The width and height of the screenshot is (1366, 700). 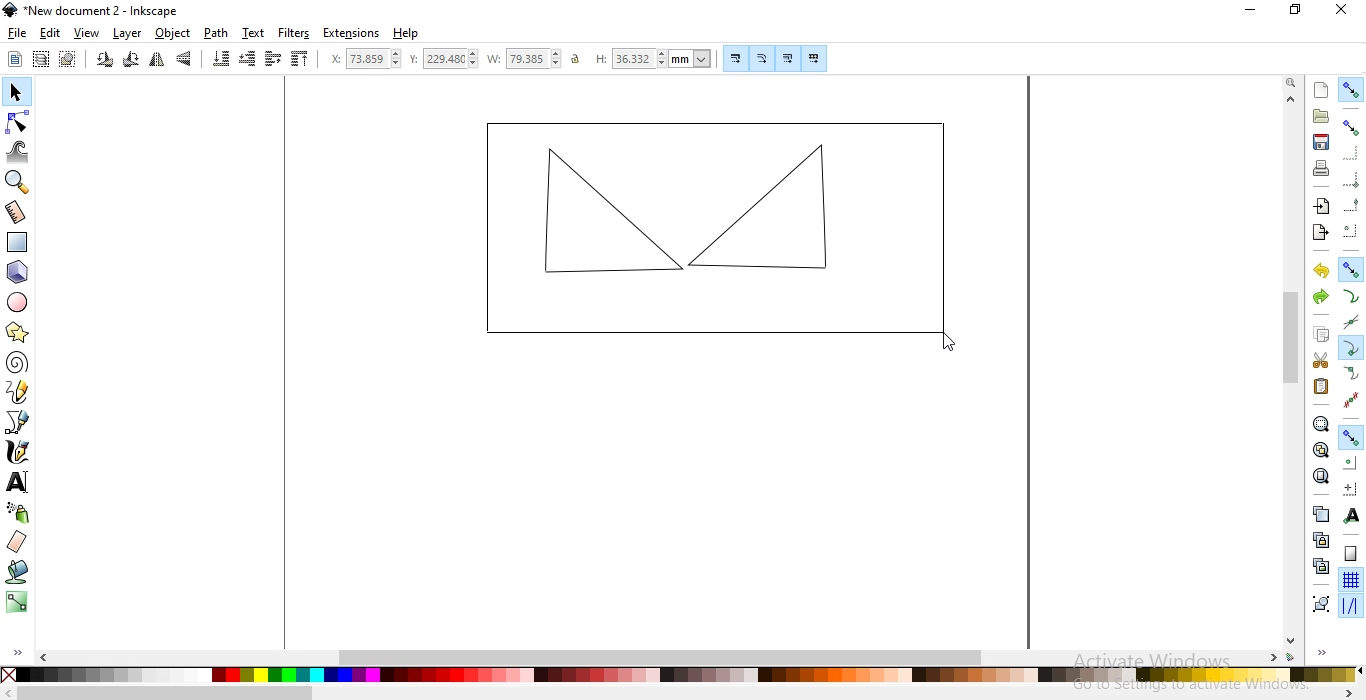 What do you see at coordinates (524, 58) in the screenshot?
I see `width of selection` at bounding box center [524, 58].